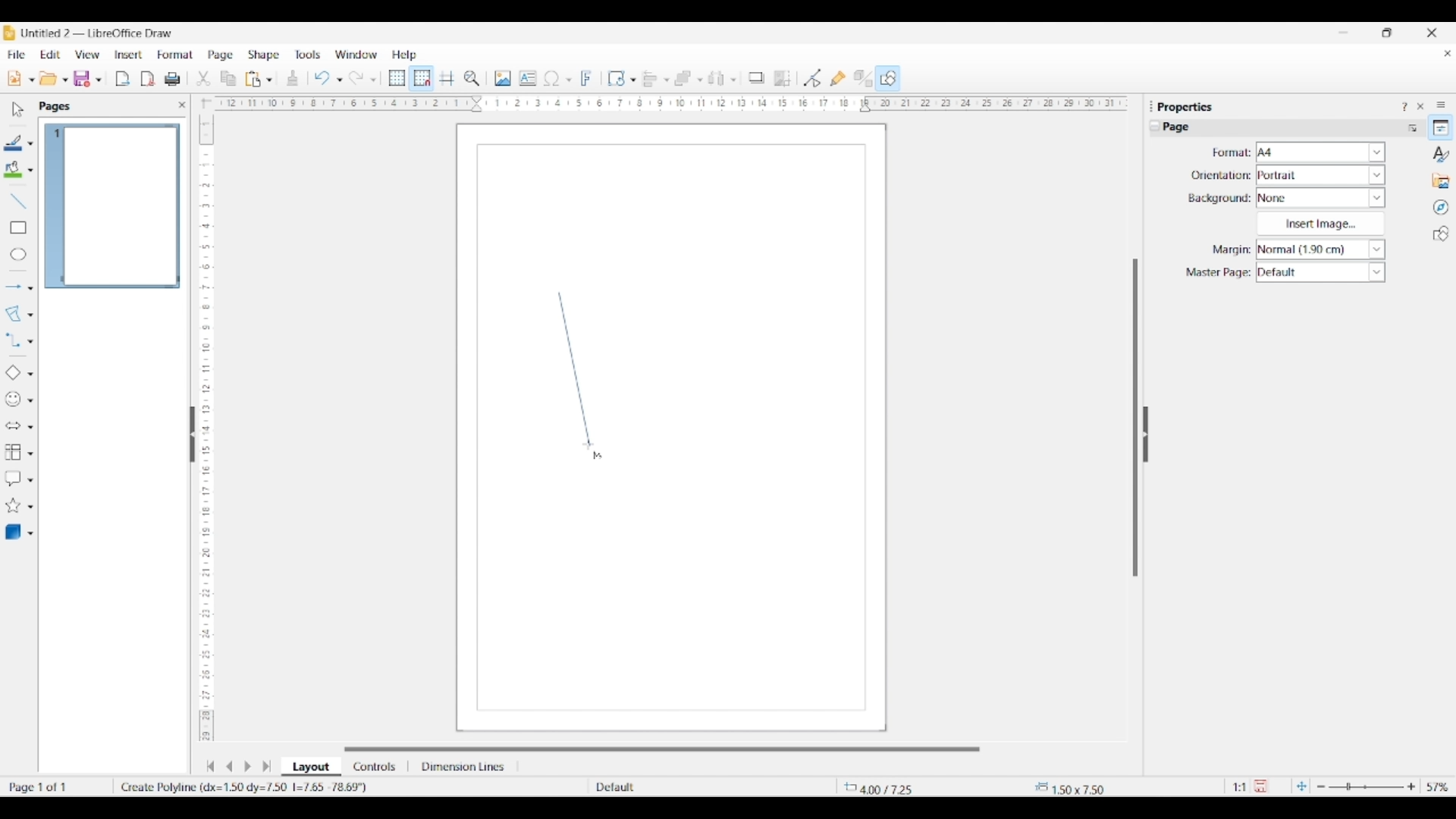 This screenshot has height=819, width=1456. What do you see at coordinates (373, 80) in the screenshot?
I see `Redo specific actions` at bounding box center [373, 80].